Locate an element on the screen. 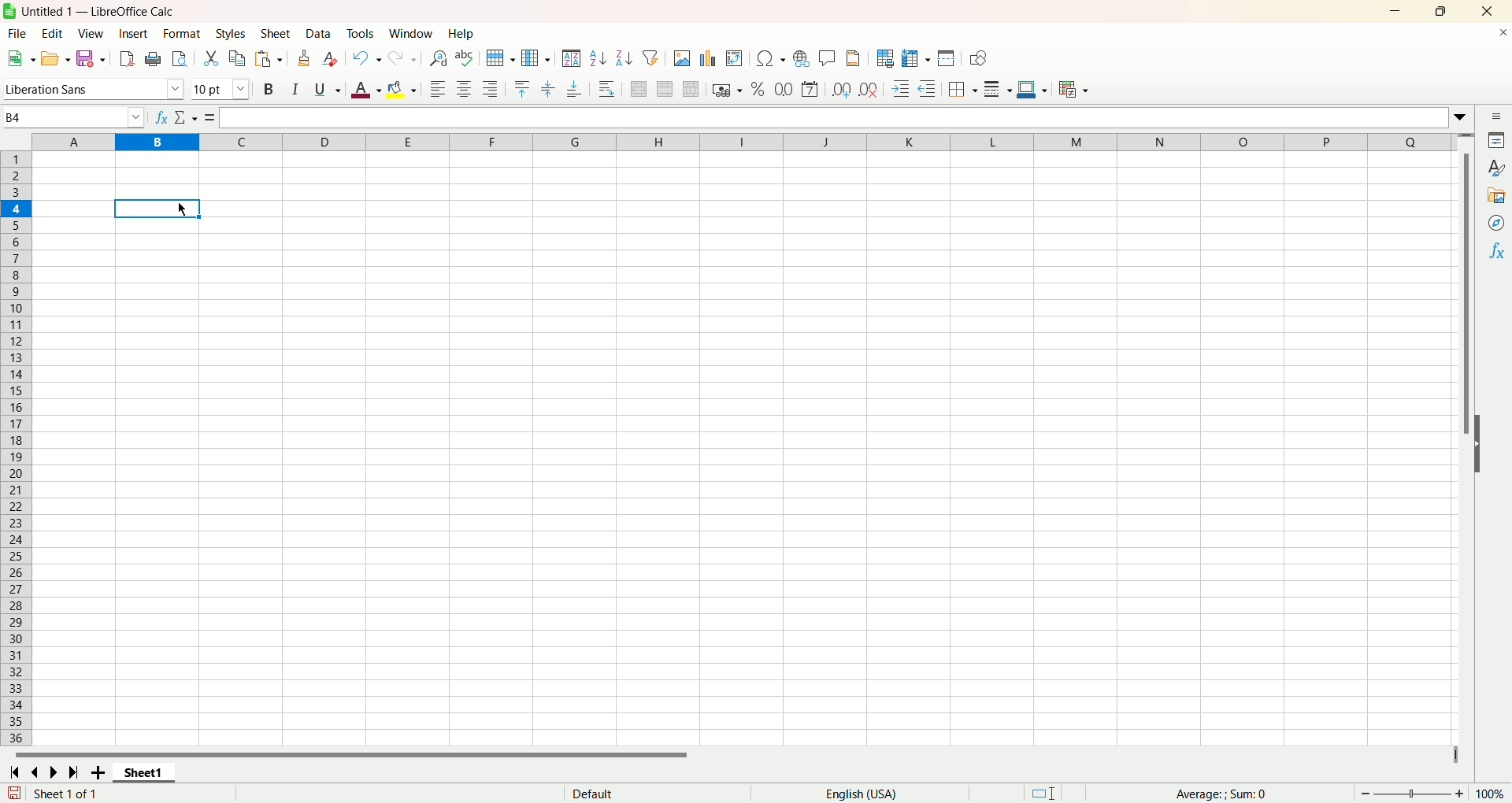 The width and height of the screenshot is (1512, 803). format as percent is located at coordinates (755, 90).